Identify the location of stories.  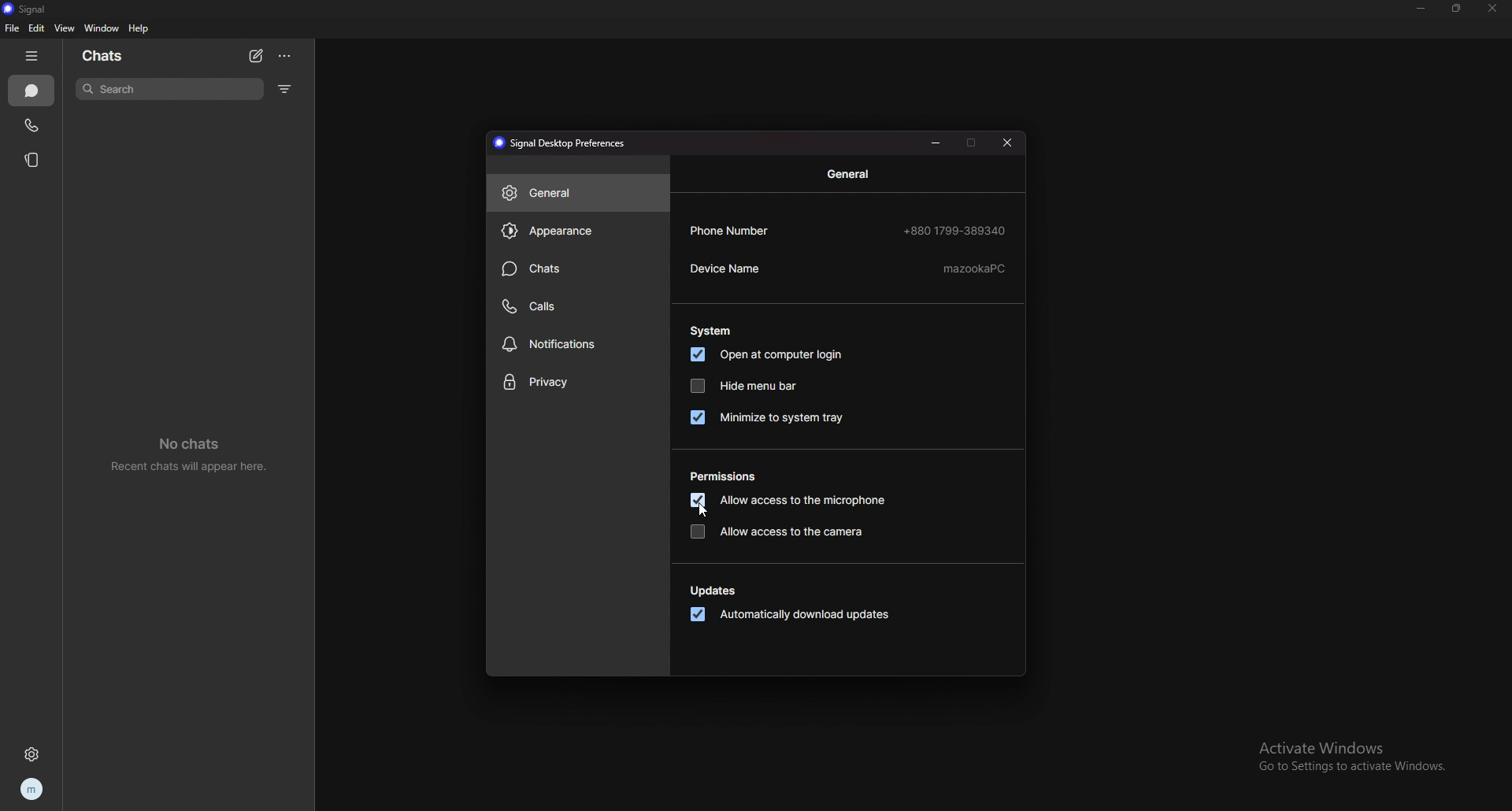
(35, 160).